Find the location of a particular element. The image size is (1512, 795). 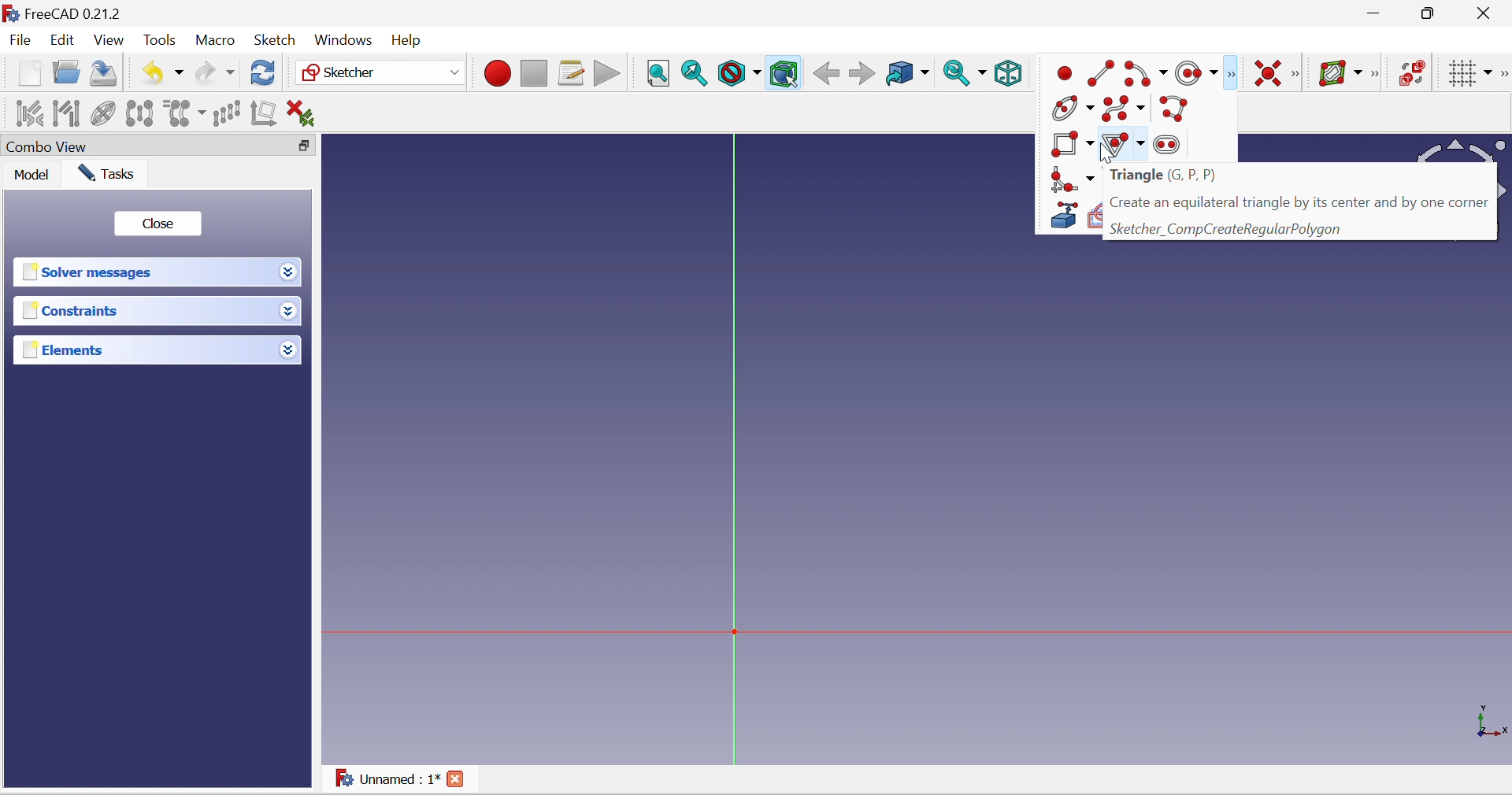

Create fillet is located at coordinates (1070, 179).